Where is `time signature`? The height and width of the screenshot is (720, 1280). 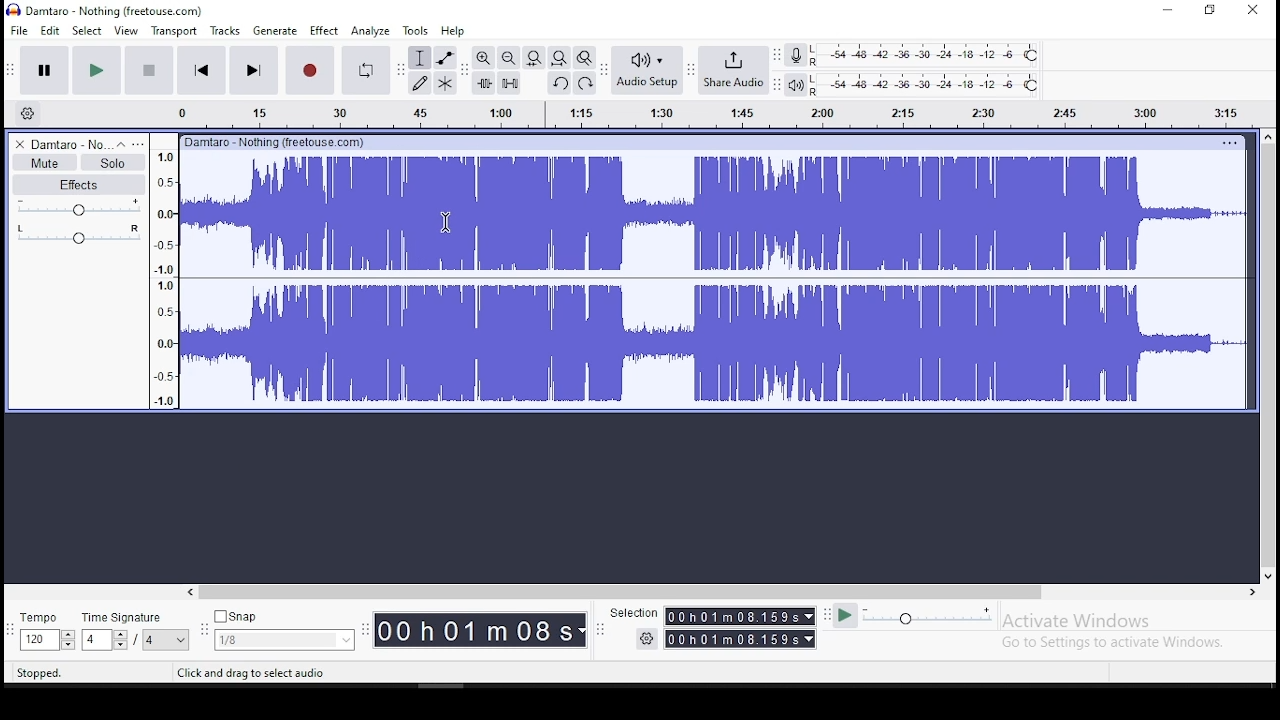
time signature is located at coordinates (133, 615).